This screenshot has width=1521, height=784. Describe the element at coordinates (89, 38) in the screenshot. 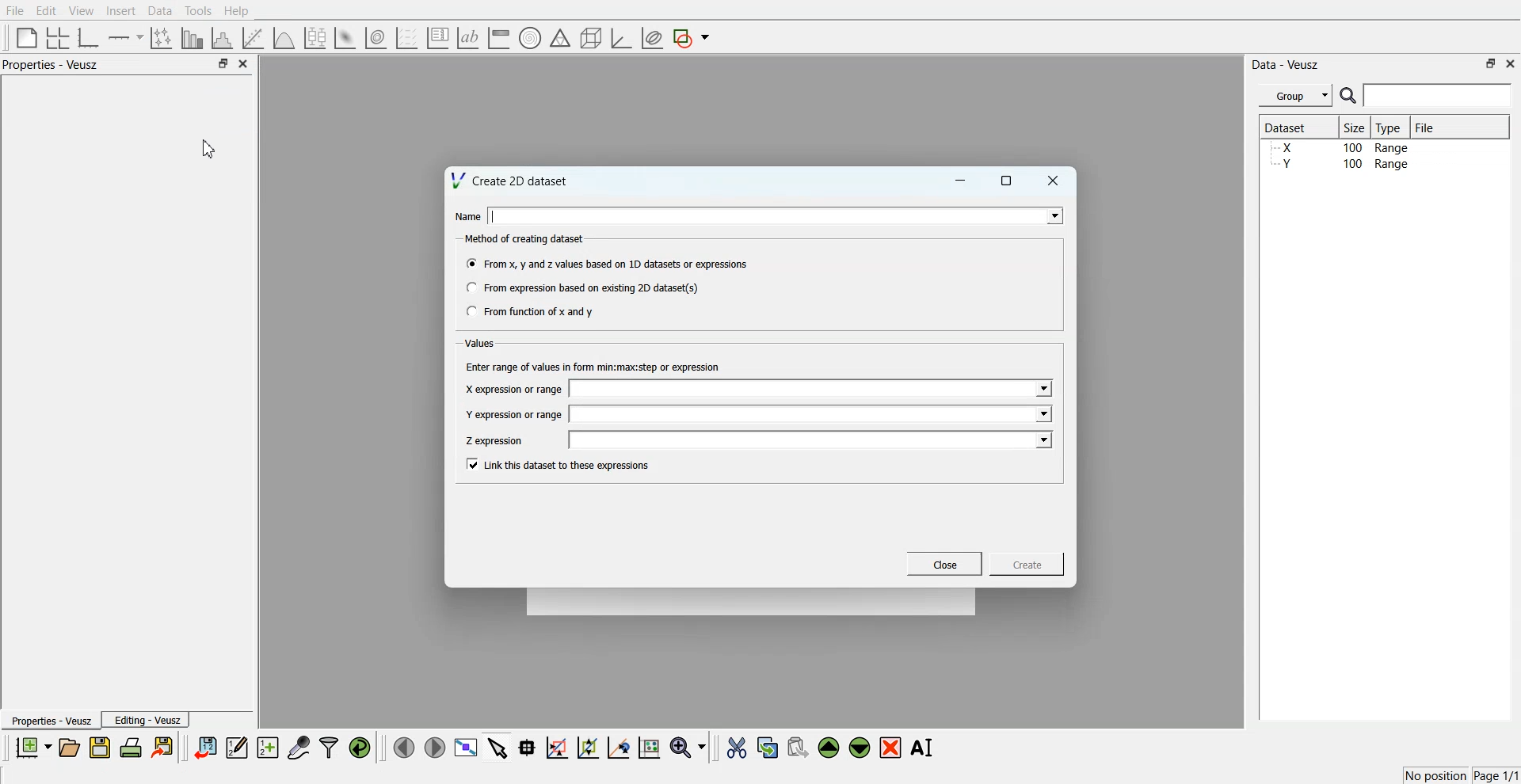

I see `Base Graph` at that location.